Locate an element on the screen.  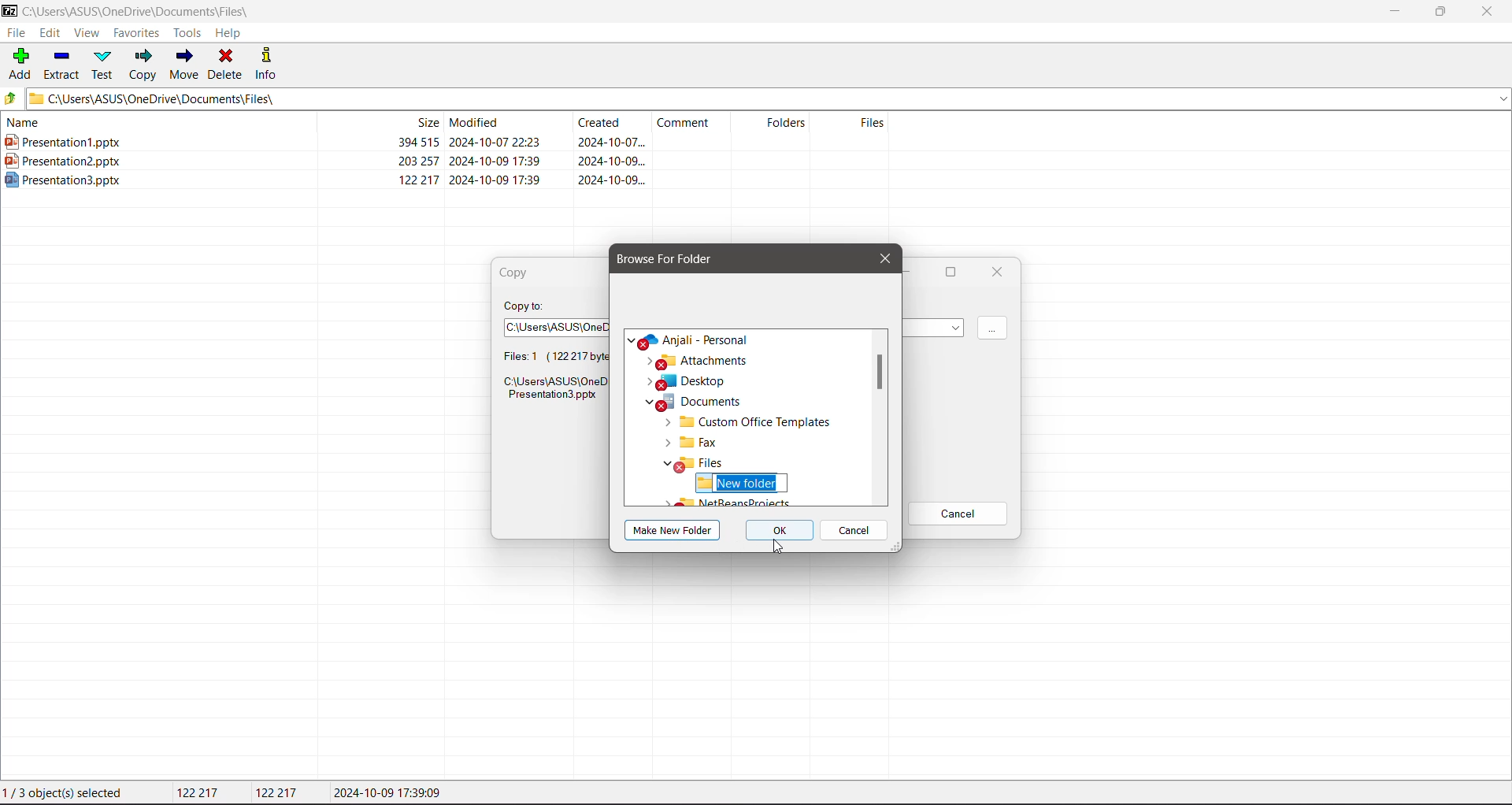
Add is located at coordinates (21, 63).